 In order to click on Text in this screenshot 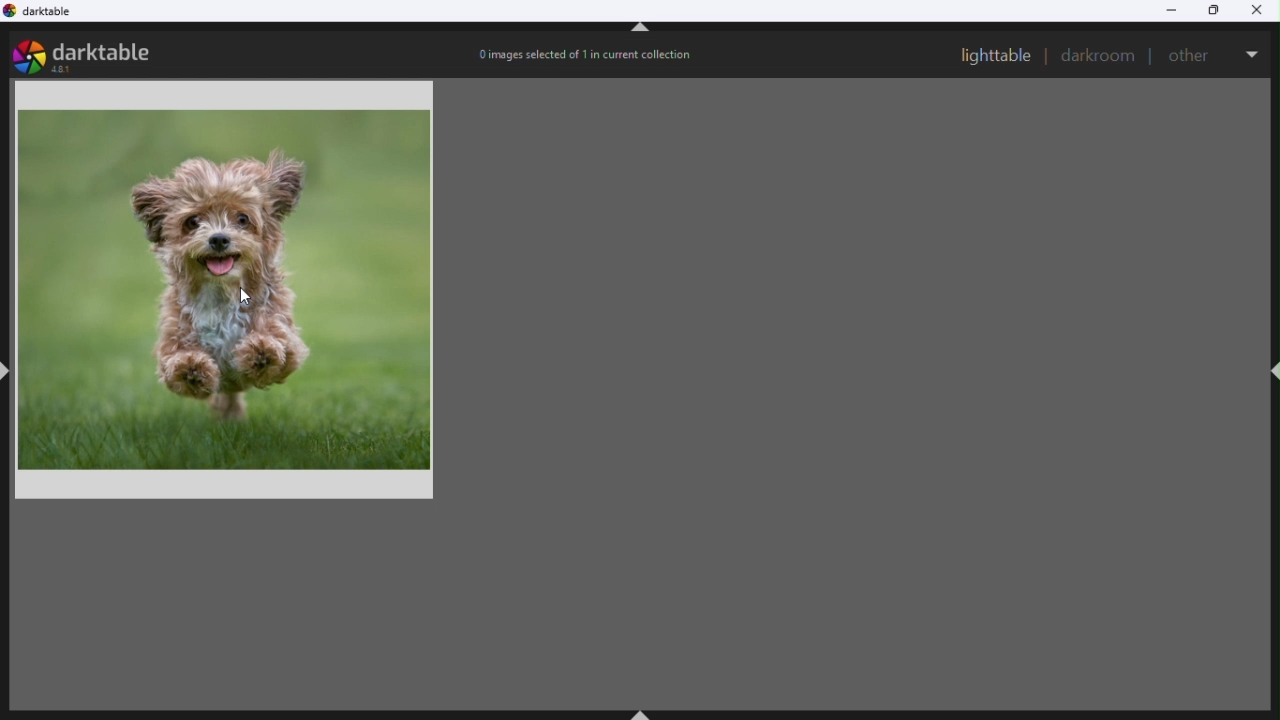, I will do `click(587, 54)`.